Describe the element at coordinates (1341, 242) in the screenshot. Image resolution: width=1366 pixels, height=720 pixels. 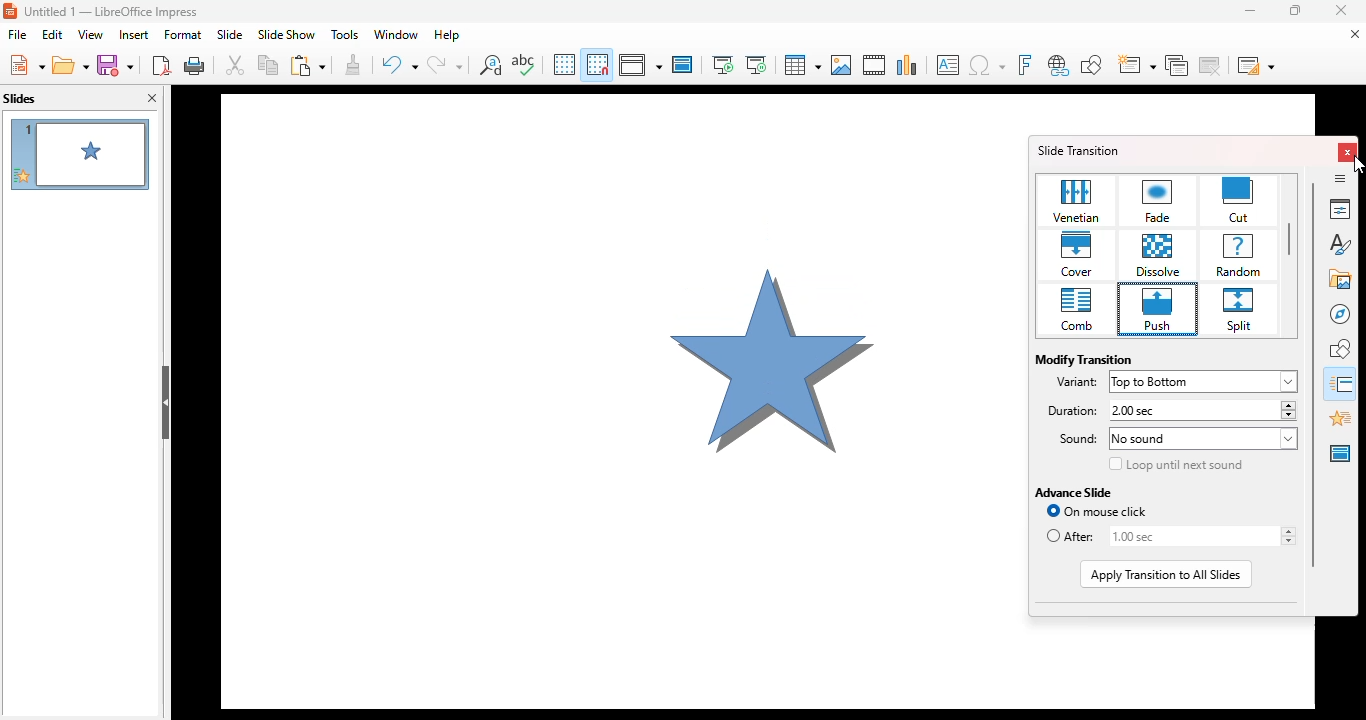
I see `styles` at that location.